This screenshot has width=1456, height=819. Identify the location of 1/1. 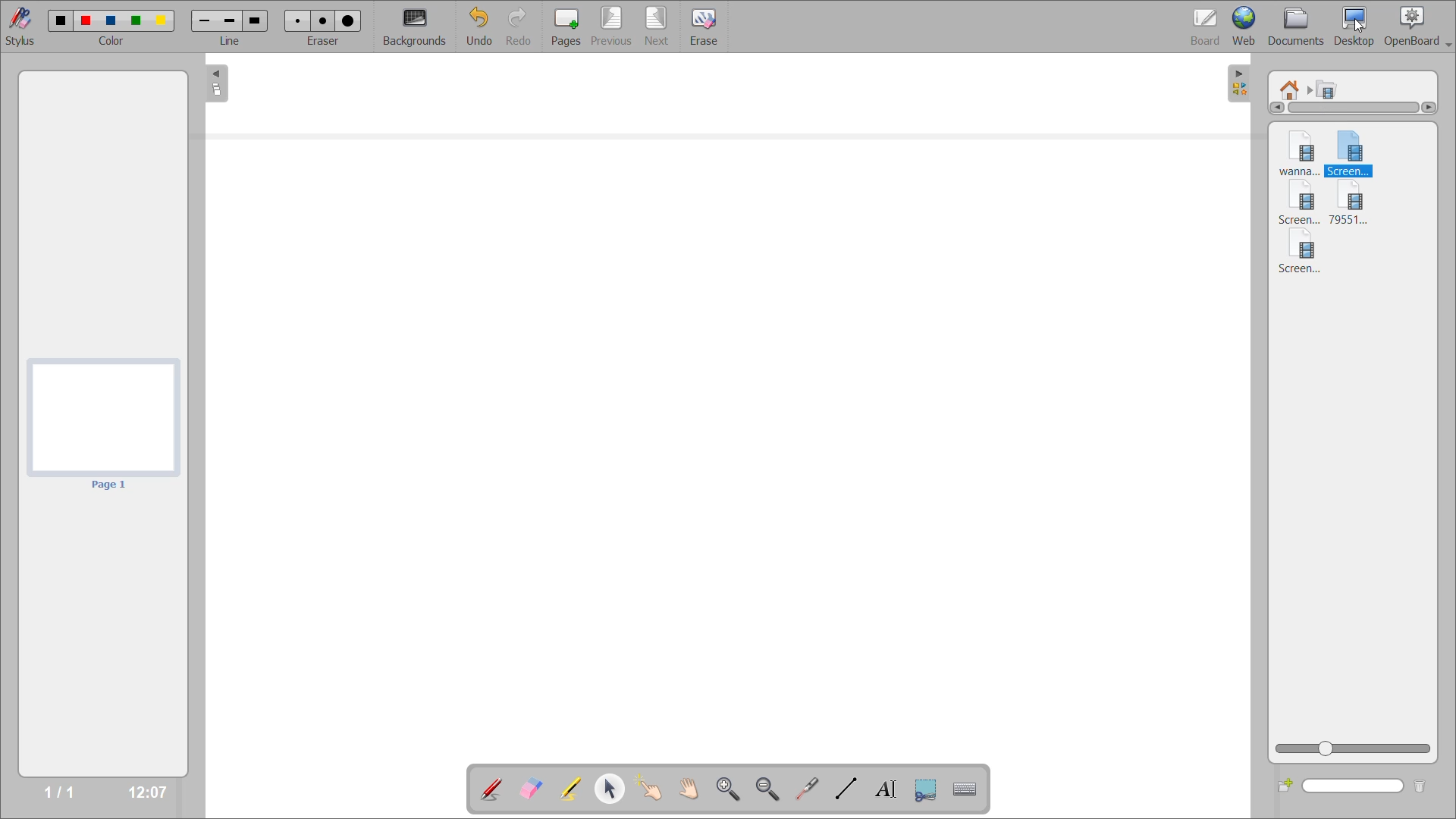
(59, 792).